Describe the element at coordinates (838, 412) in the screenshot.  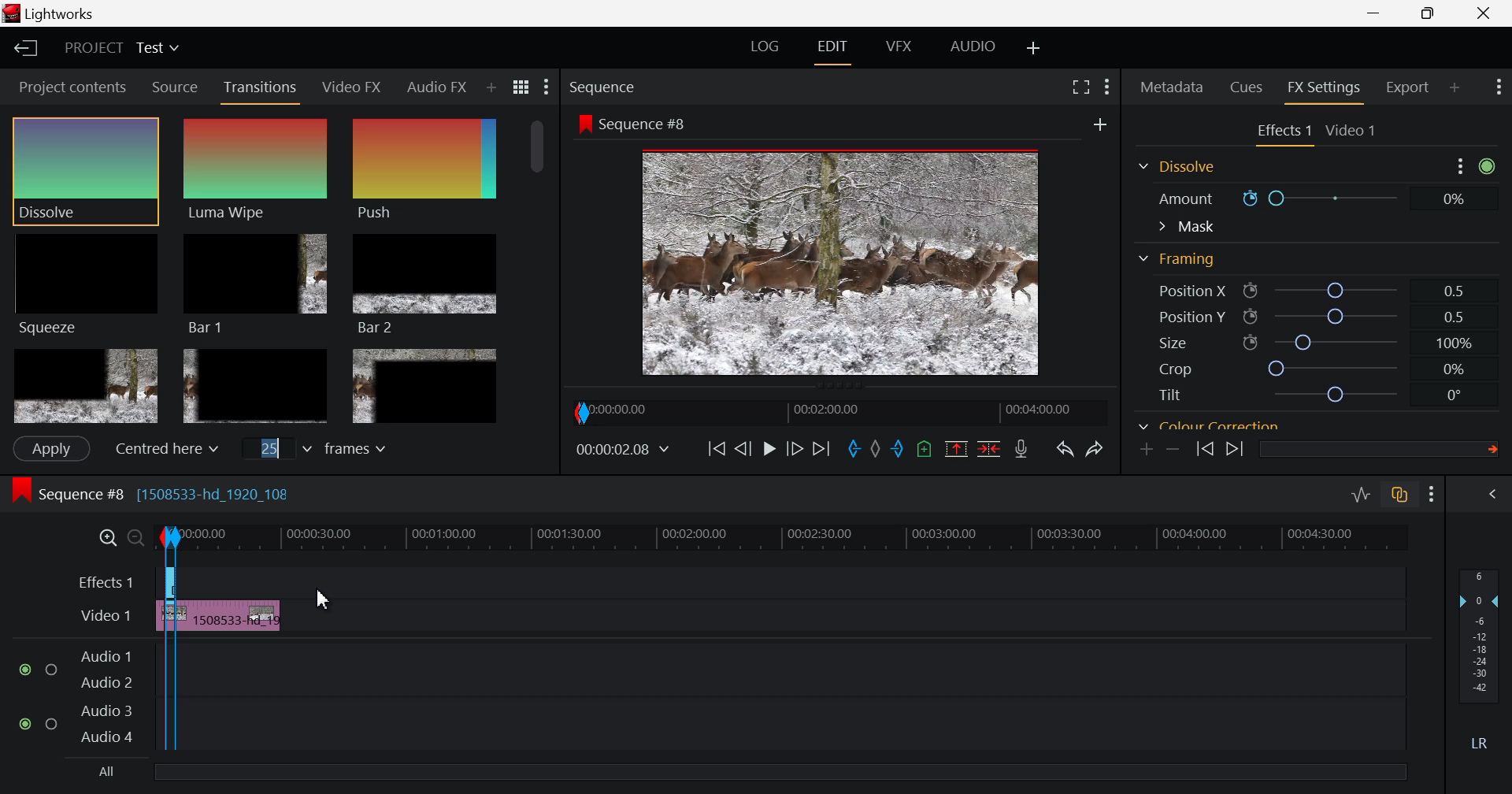
I see `Project Timeline Navigator` at that location.